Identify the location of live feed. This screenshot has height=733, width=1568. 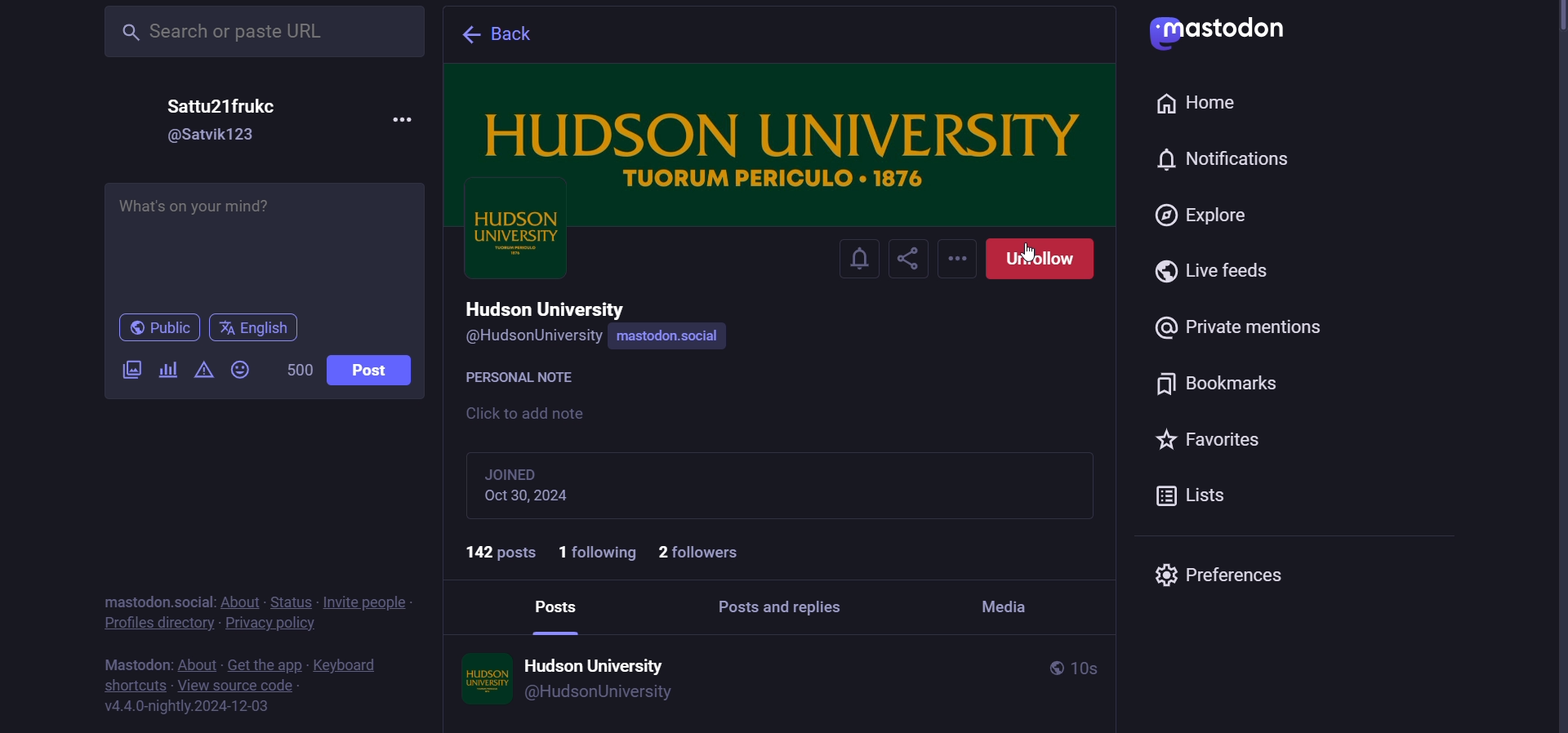
(1213, 272).